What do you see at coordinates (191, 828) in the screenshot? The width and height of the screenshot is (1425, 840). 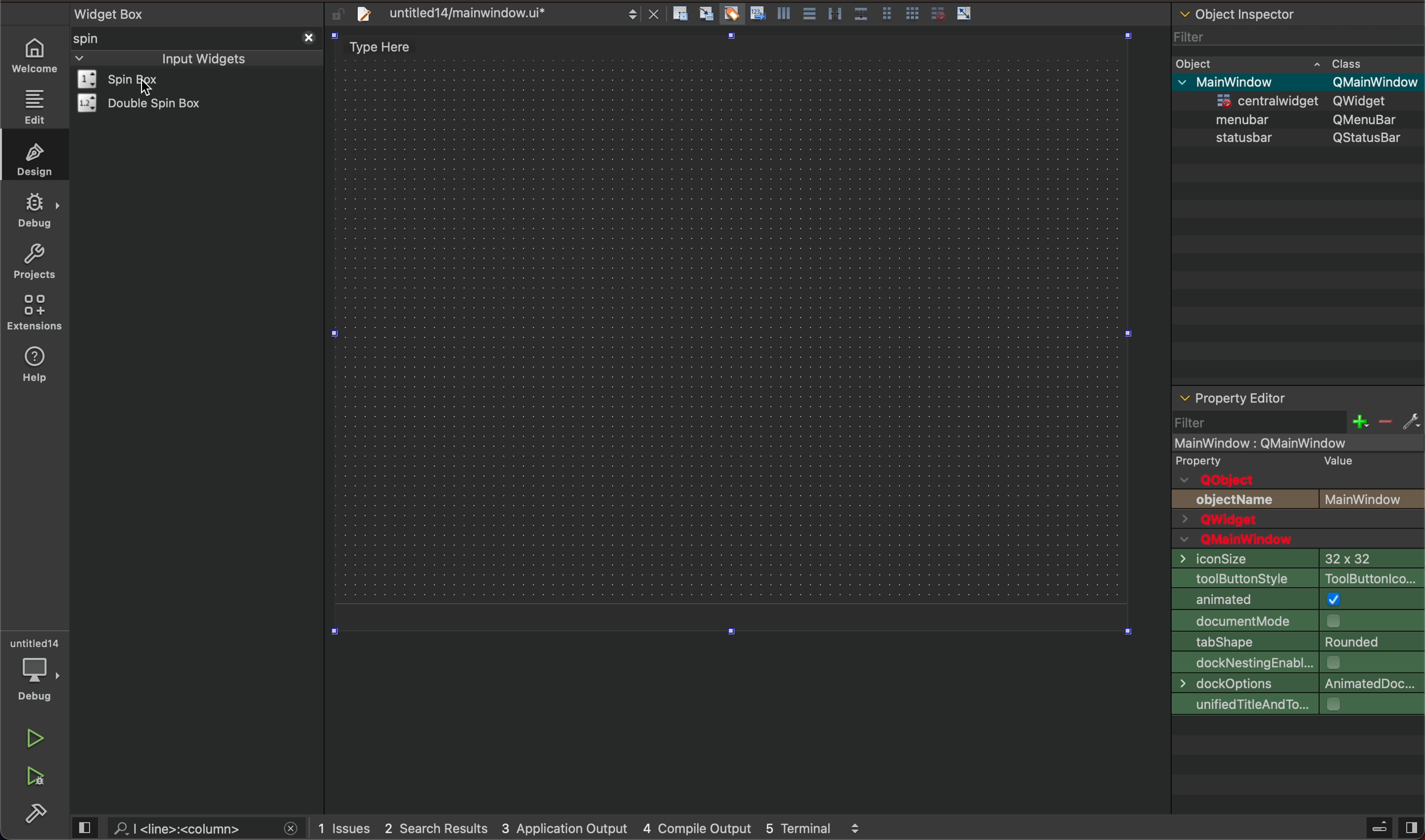 I see `search` at bounding box center [191, 828].